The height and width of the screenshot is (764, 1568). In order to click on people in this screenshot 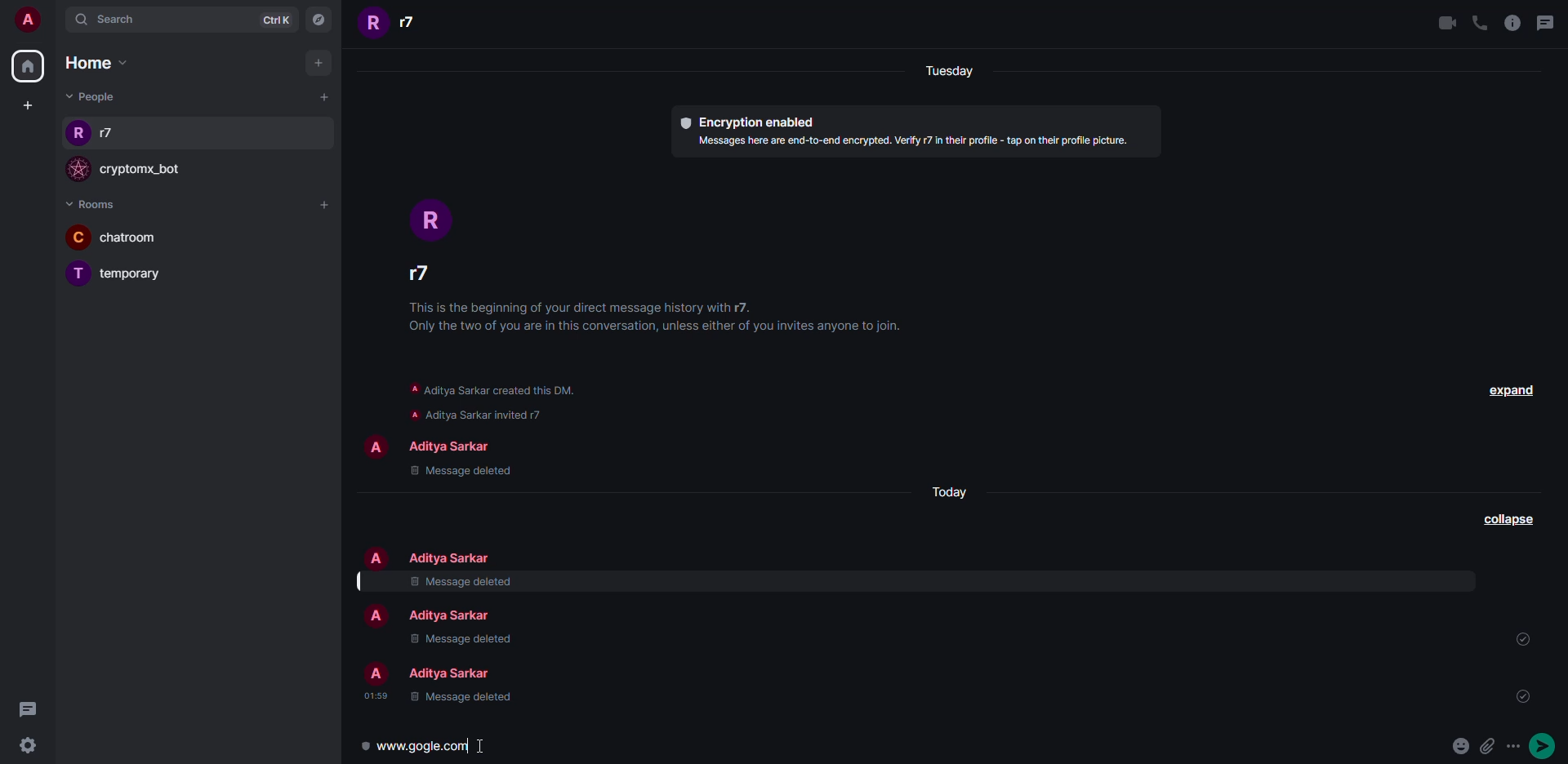, I will do `click(451, 557)`.